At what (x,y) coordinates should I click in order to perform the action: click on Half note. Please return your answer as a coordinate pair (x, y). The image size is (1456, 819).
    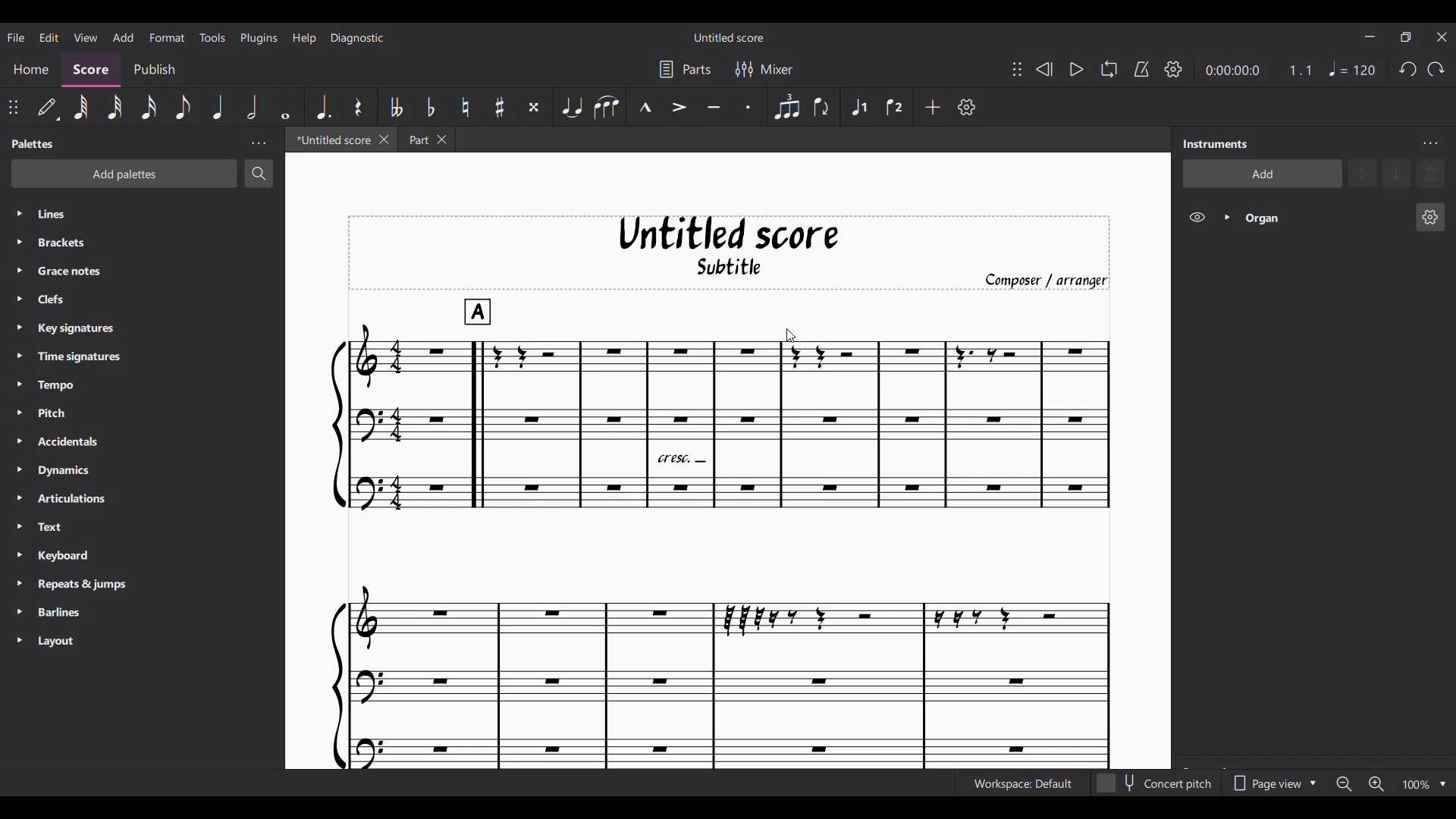
    Looking at the image, I should click on (251, 106).